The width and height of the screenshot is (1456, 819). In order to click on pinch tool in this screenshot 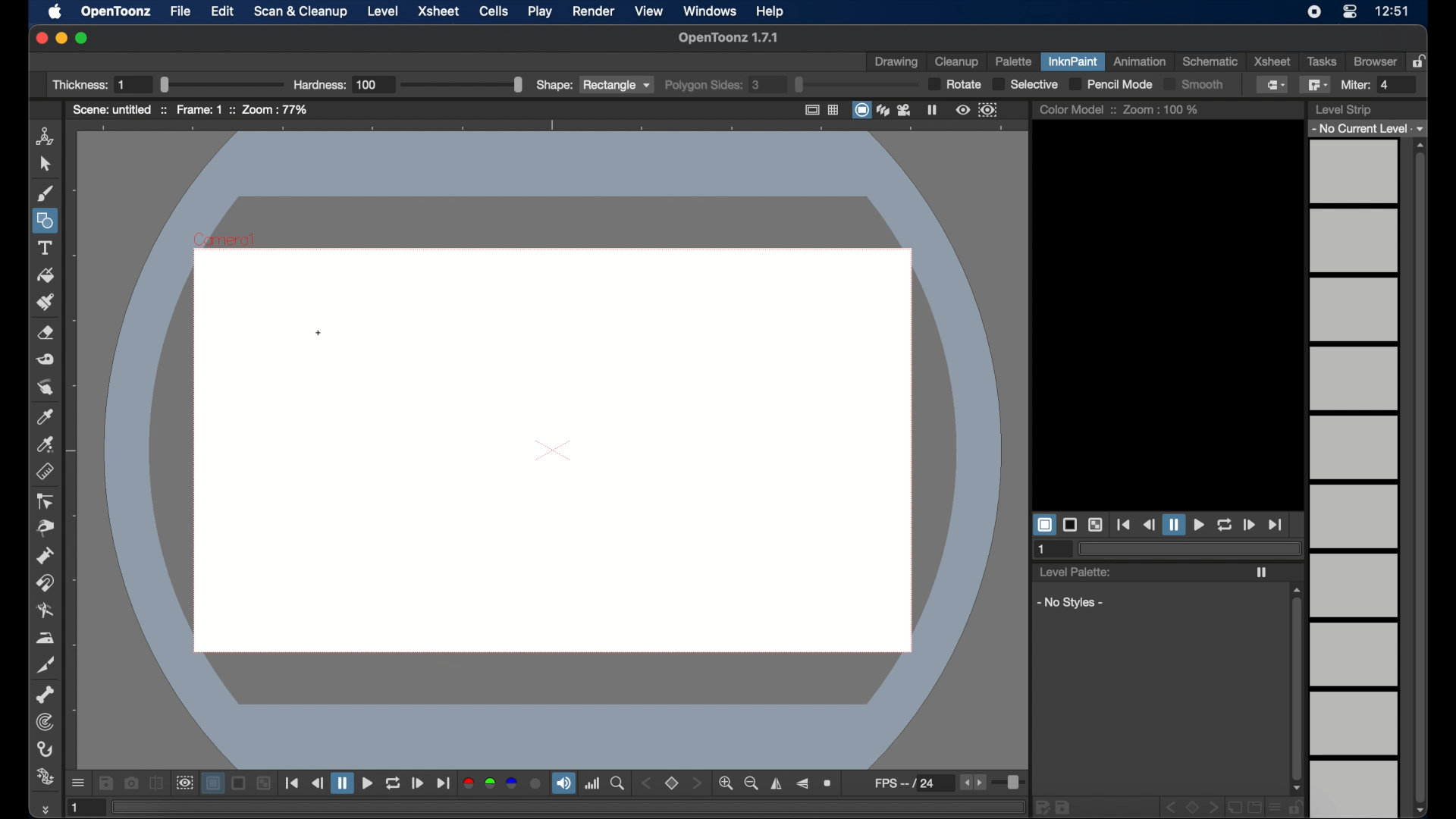, I will do `click(45, 528)`.